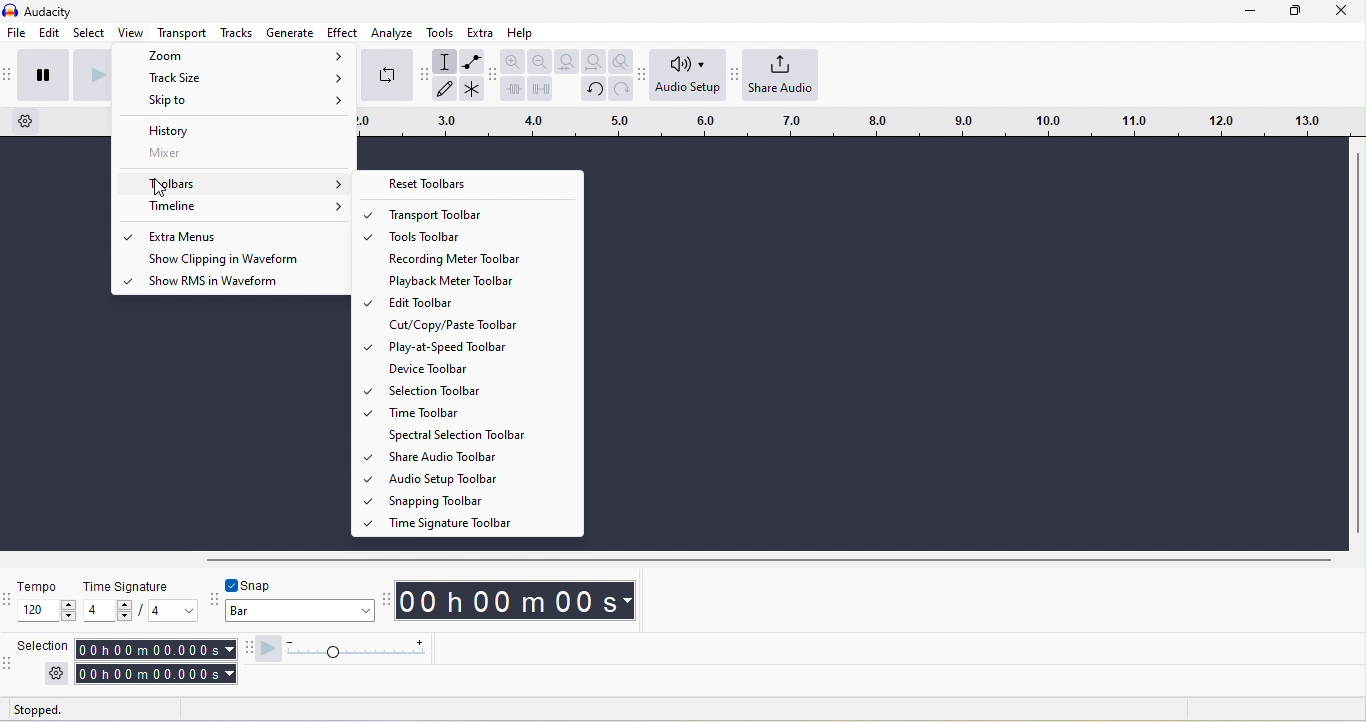 This screenshot has height=722, width=1366. Describe the element at coordinates (781, 74) in the screenshot. I see `share audio` at that location.